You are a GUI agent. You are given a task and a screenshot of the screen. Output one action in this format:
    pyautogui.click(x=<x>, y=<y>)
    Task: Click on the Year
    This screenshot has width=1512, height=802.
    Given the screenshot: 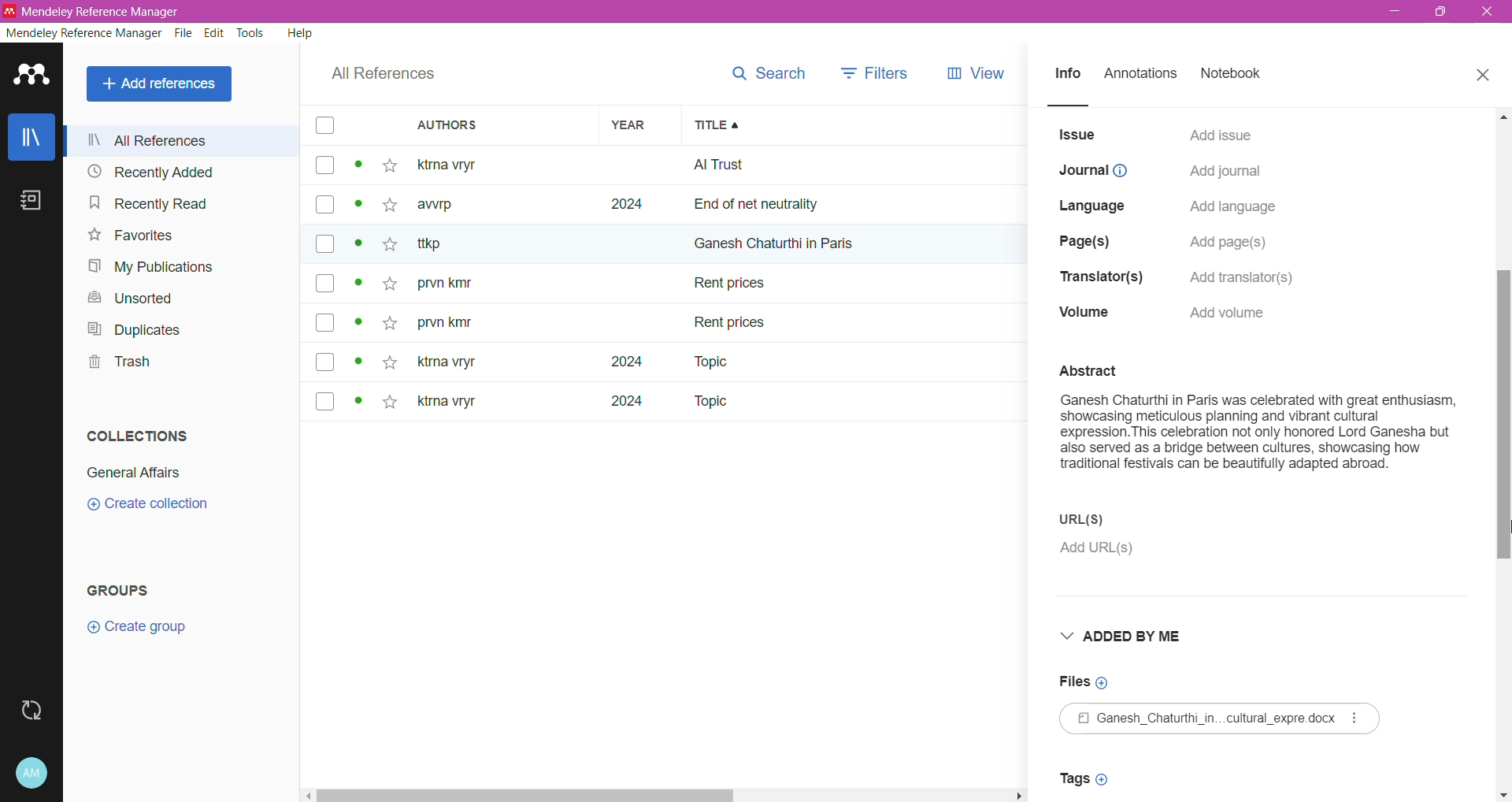 What is the action you would take?
    pyautogui.click(x=637, y=126)
    